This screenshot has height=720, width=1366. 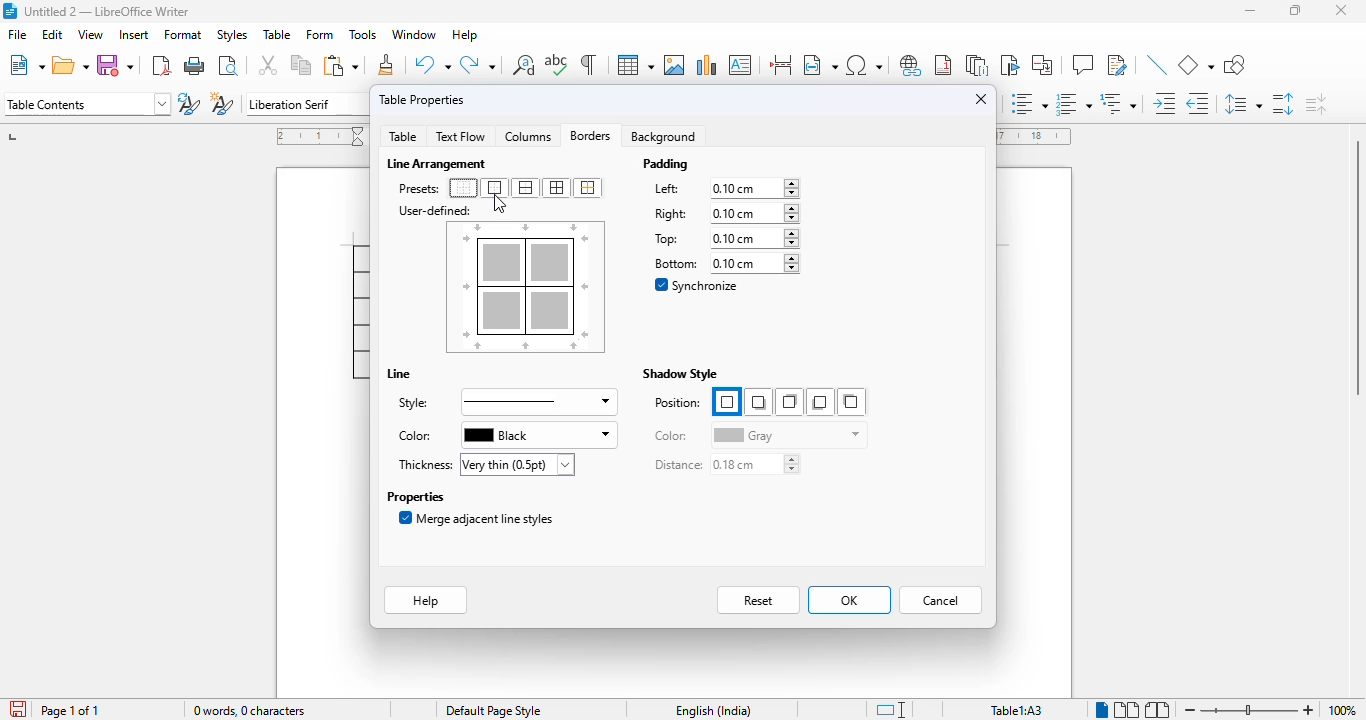 I want to click on set paragraph style, so click(x=87, y=104).